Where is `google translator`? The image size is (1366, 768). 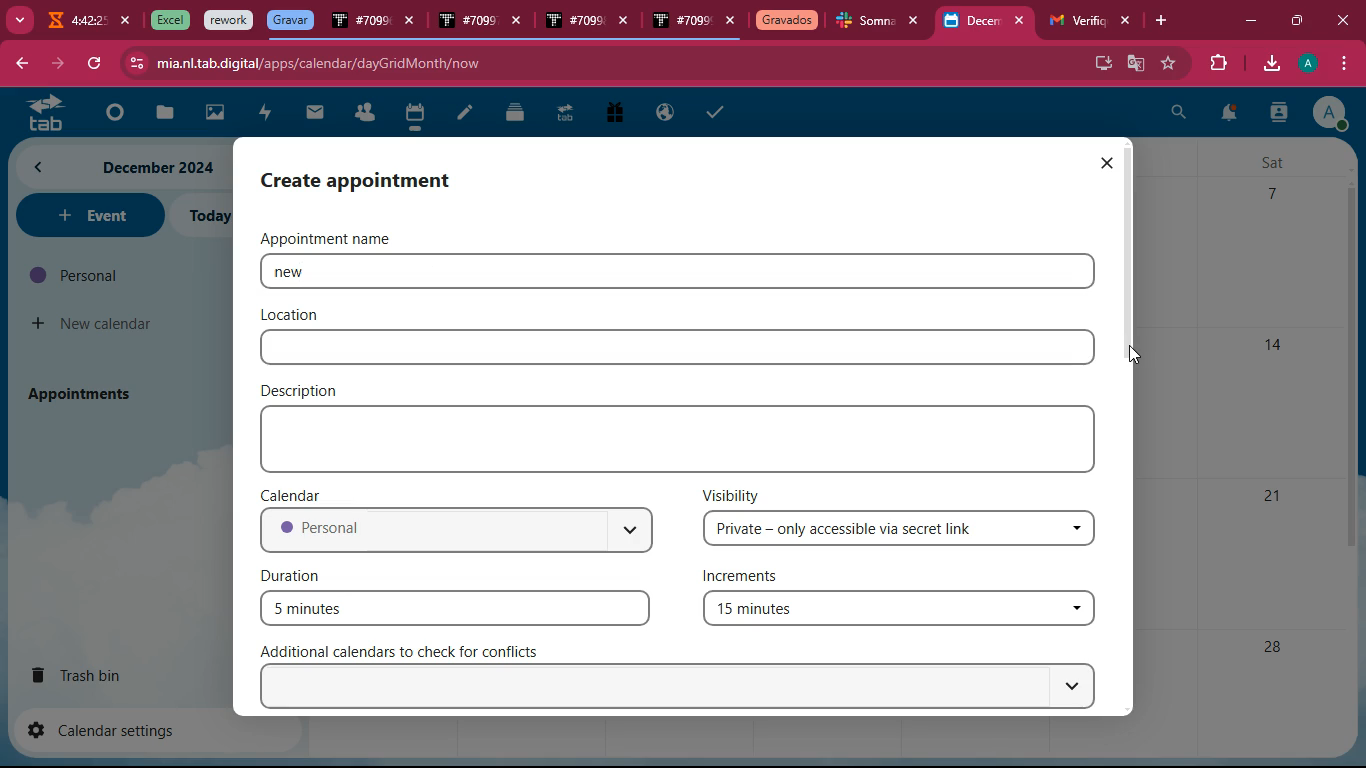 google translator is located at coordinates (1136, 63).